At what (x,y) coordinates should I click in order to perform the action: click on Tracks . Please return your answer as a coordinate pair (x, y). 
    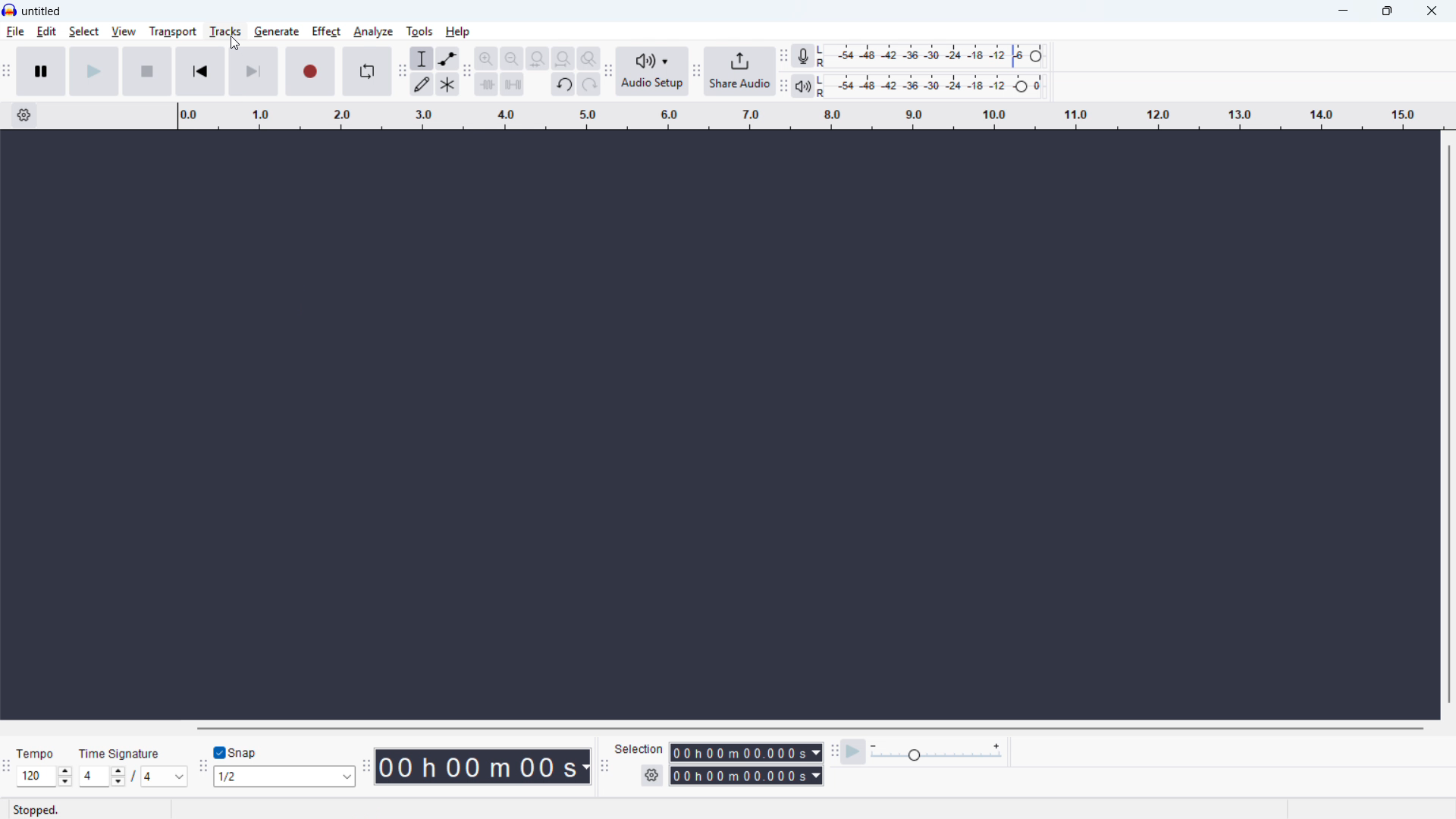
    Looking at the image, I should click on (226, 31).